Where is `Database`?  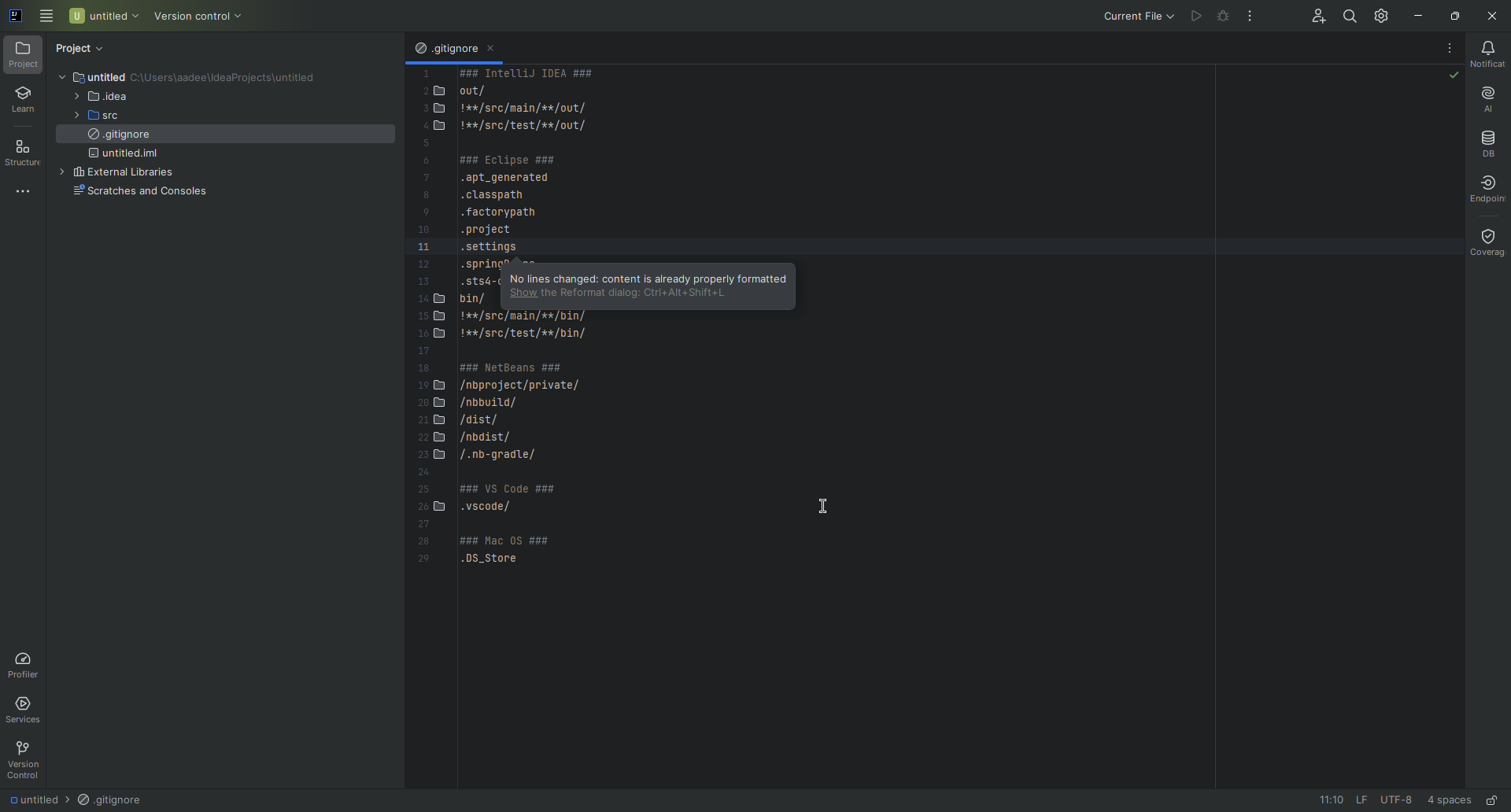
Database is located at coordinates (1487, 139).